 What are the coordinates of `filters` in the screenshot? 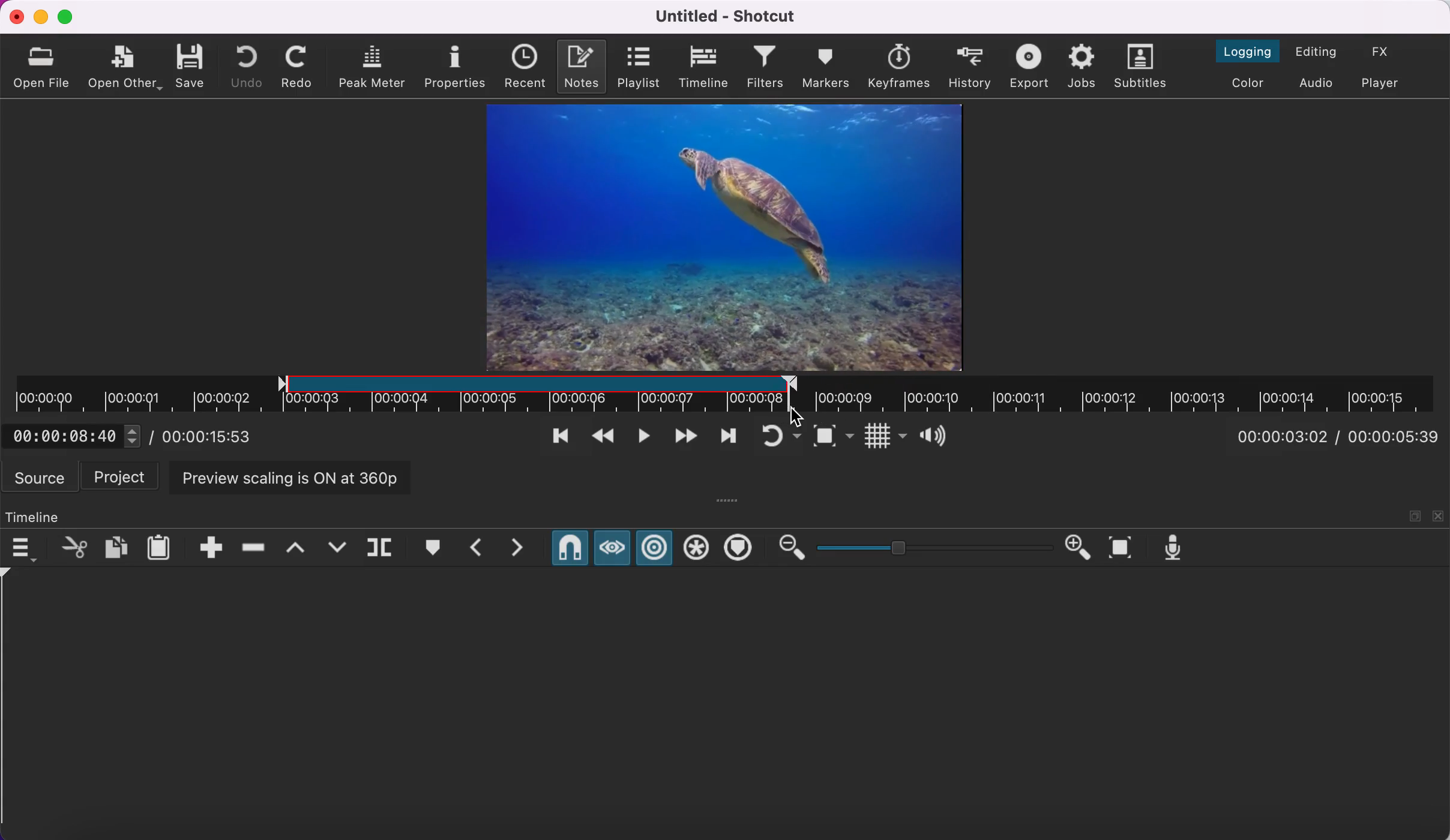 It's located at (766, 67).